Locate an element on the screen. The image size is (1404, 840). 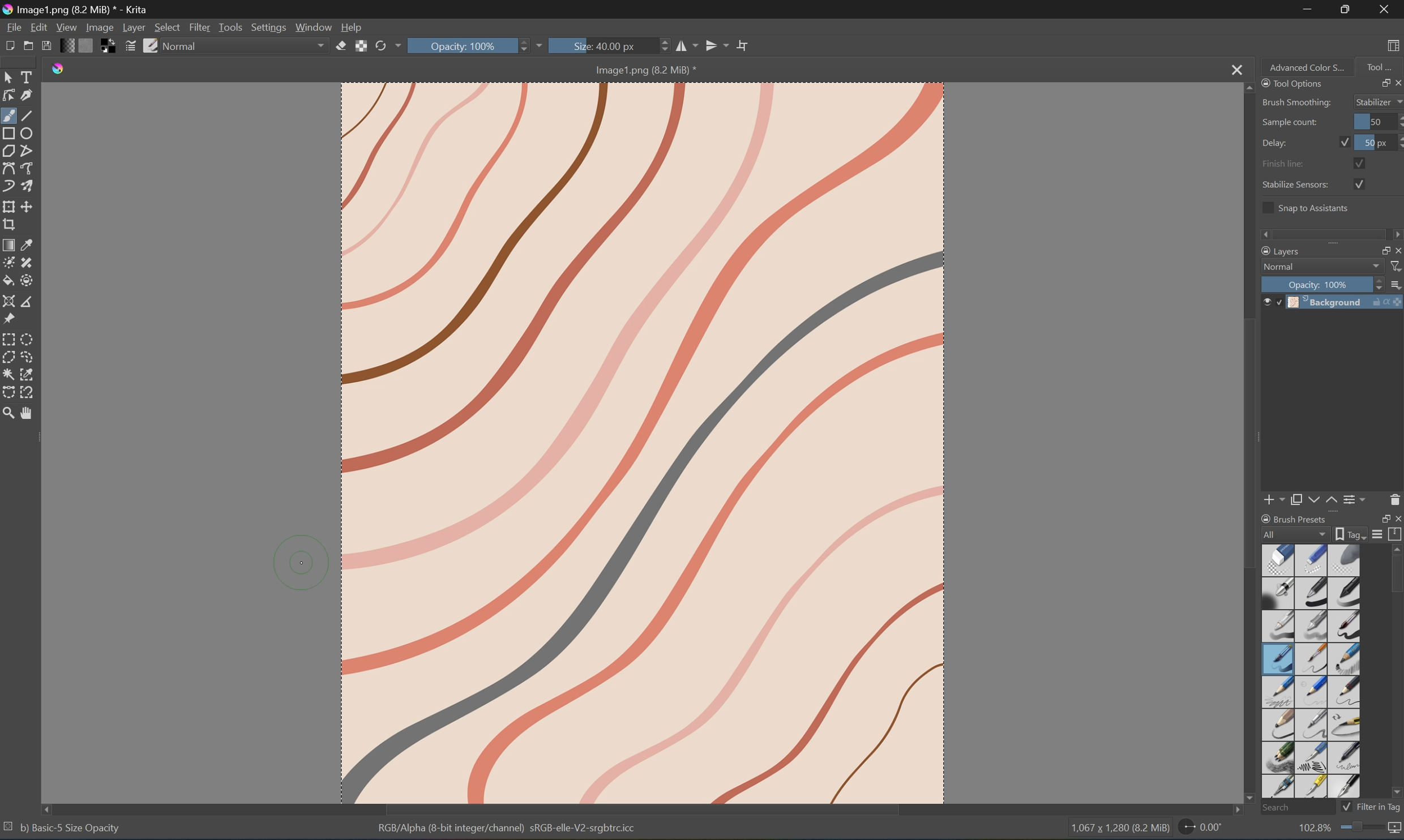
Horizontal mirror tool is located at coordinates (686, 46).